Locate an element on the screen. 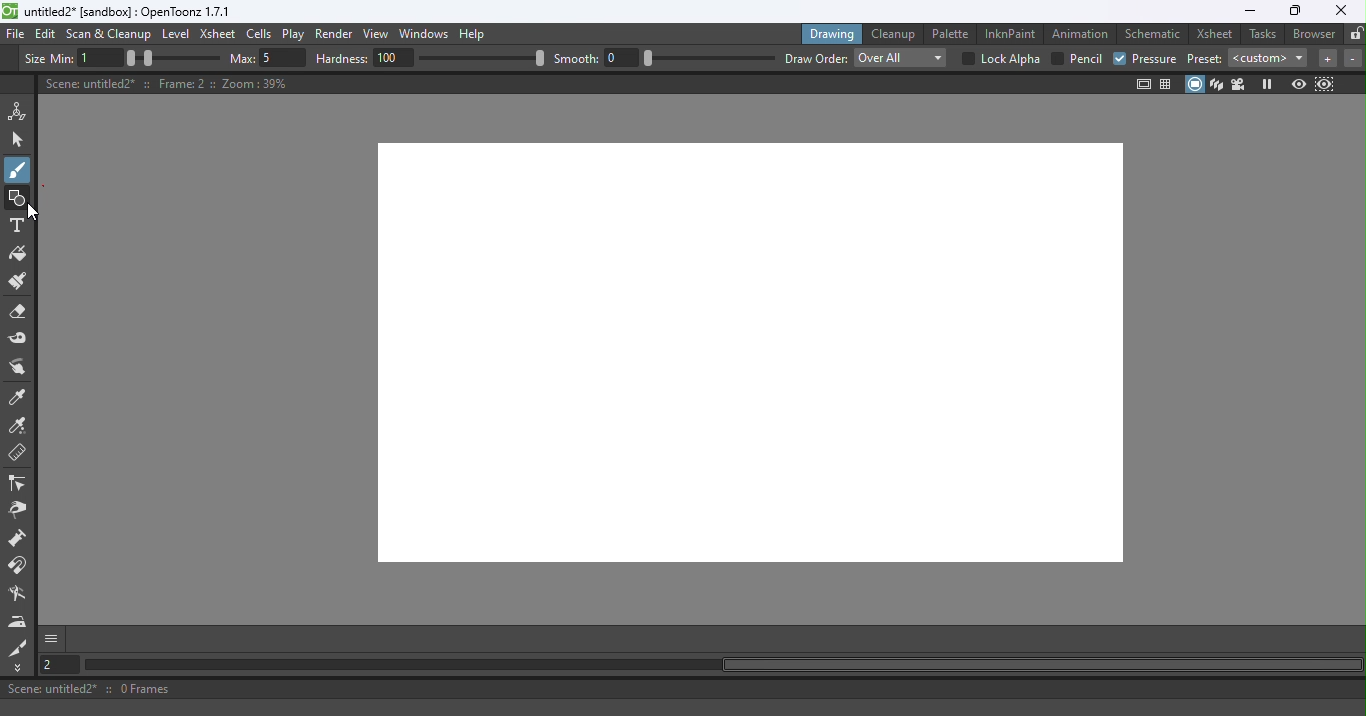 This screenshot has height=716, width=1366. Tasks is located at coordinates (1264, 34).